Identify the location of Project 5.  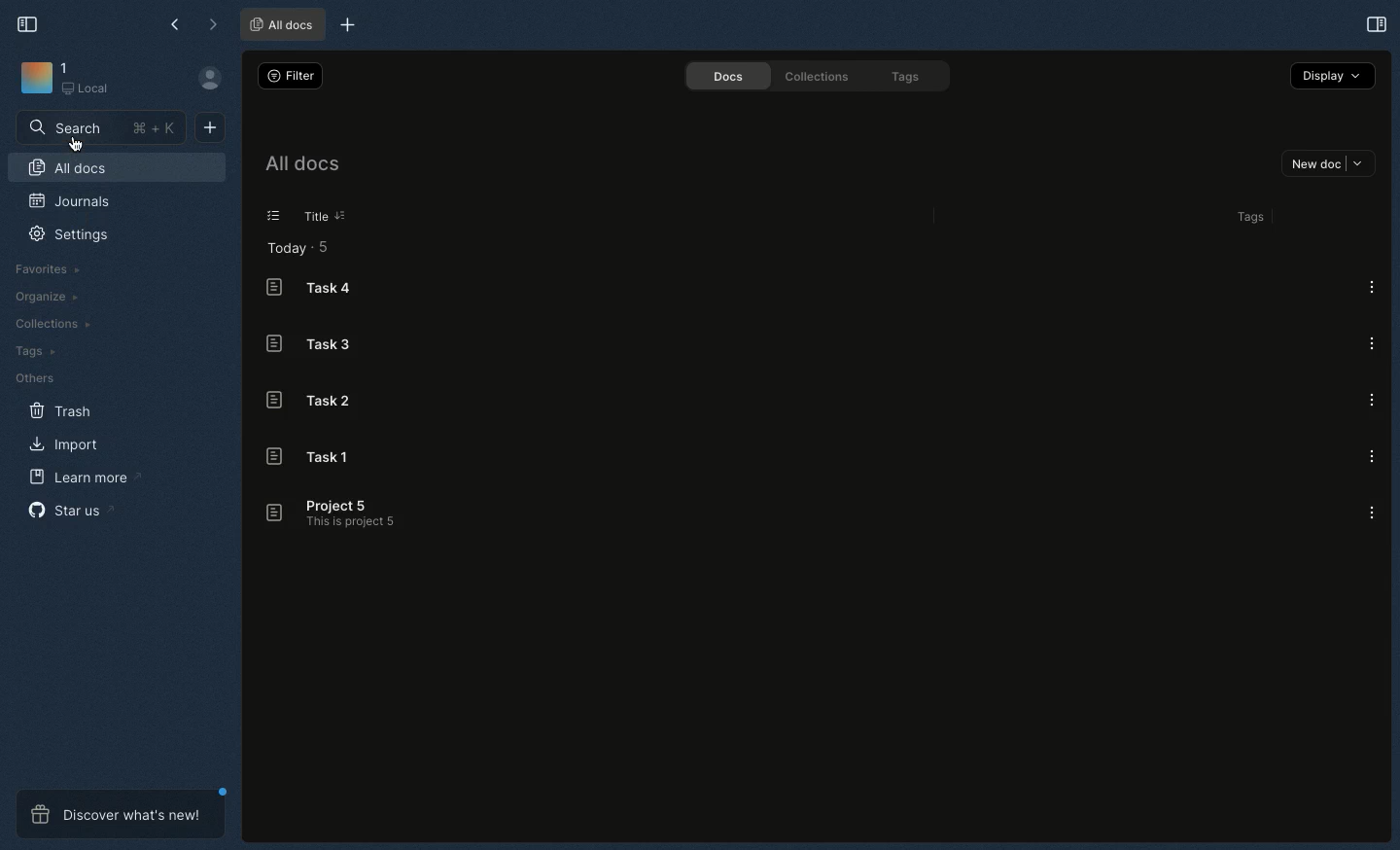
(331, 514).